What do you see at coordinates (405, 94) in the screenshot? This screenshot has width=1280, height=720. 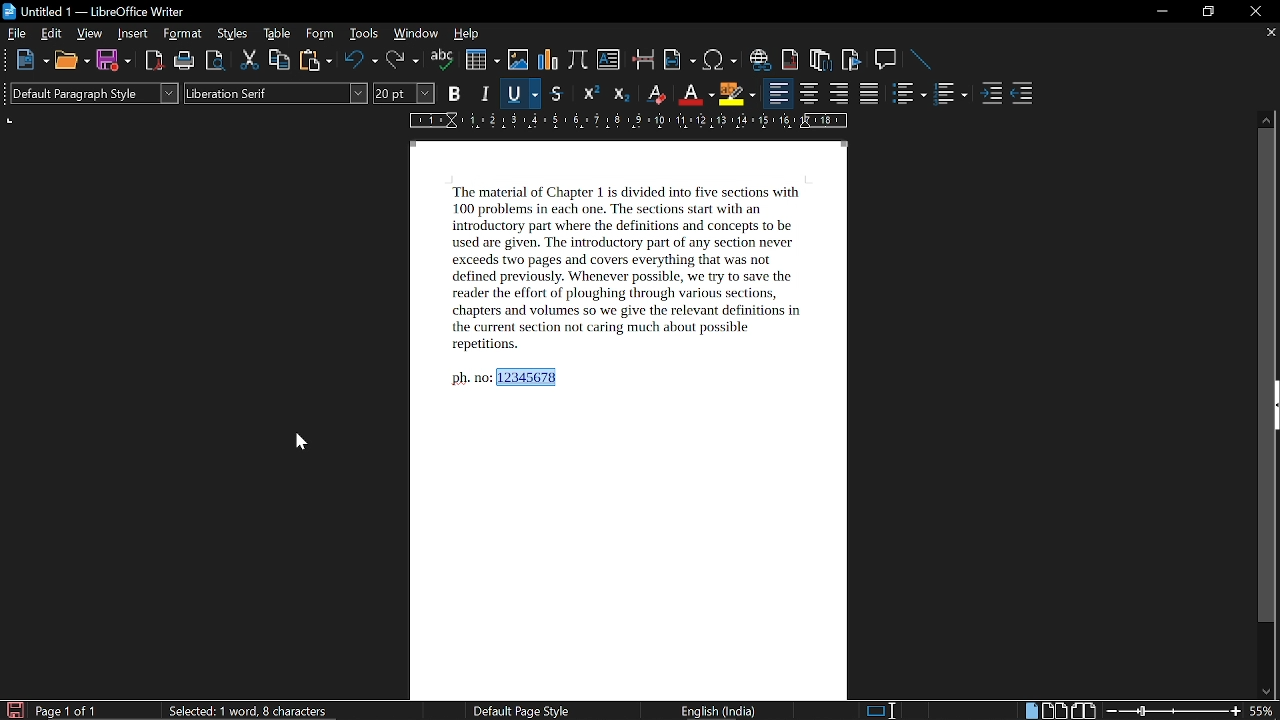 I see `font size` at bounding box center [405, 94].